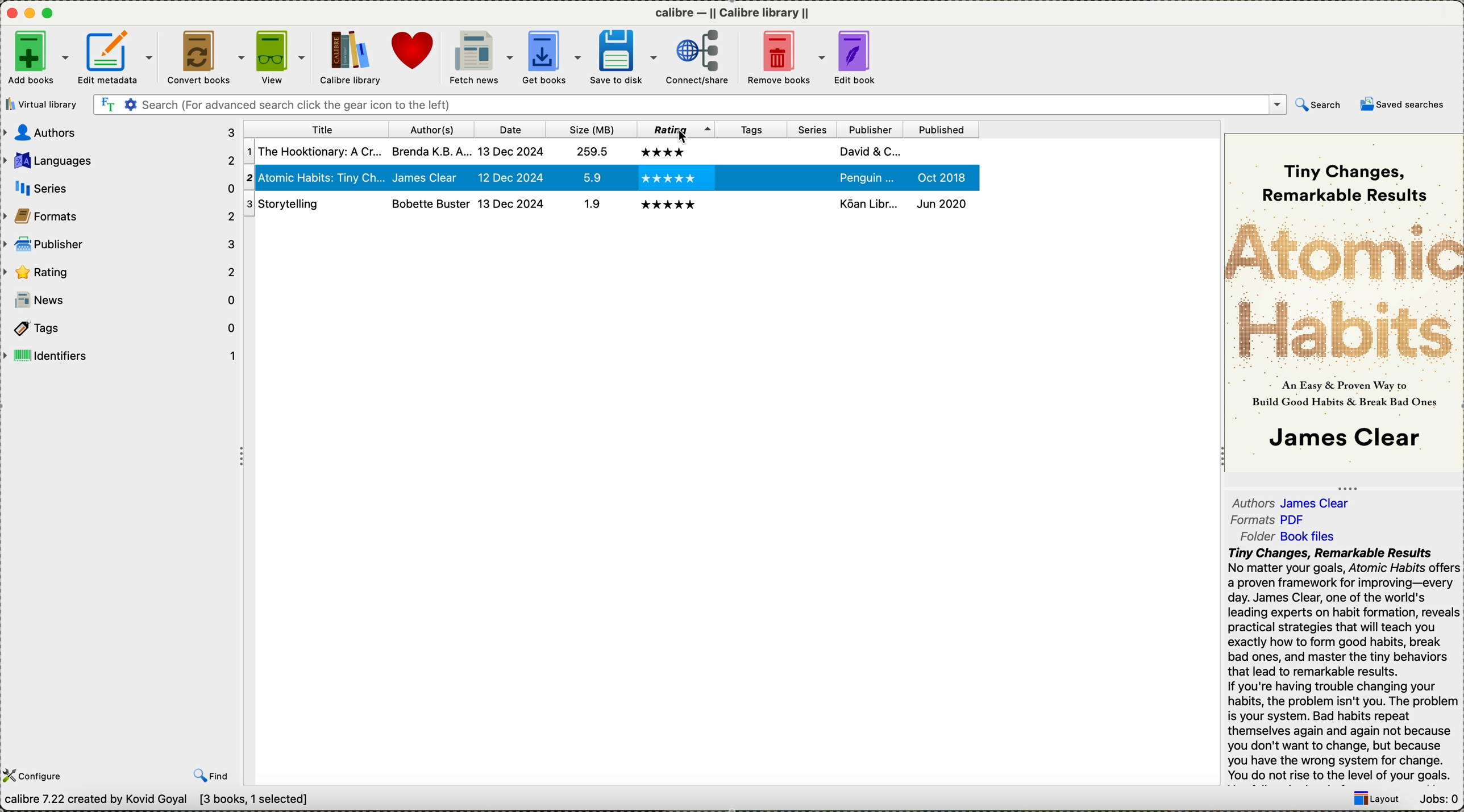 The height and width of the screenshot is (812, 1464). What do you see at coordinates (119, 244) in the screenshot?
I see `publisher` at bounding box center [119, 244].